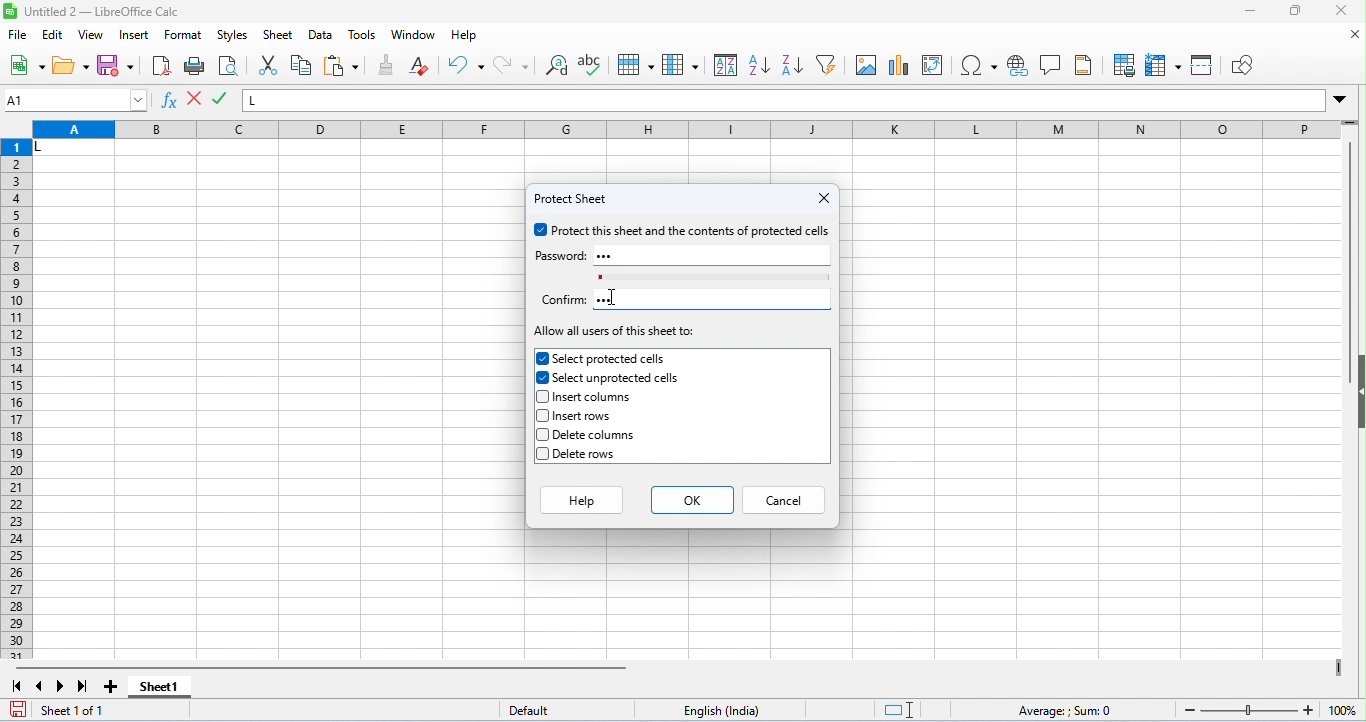 This screenshot has width=1366, height=722. Describe the element at coordinates (1165, 66) in the screenshot. I see `freeze rows and columns` at that location.